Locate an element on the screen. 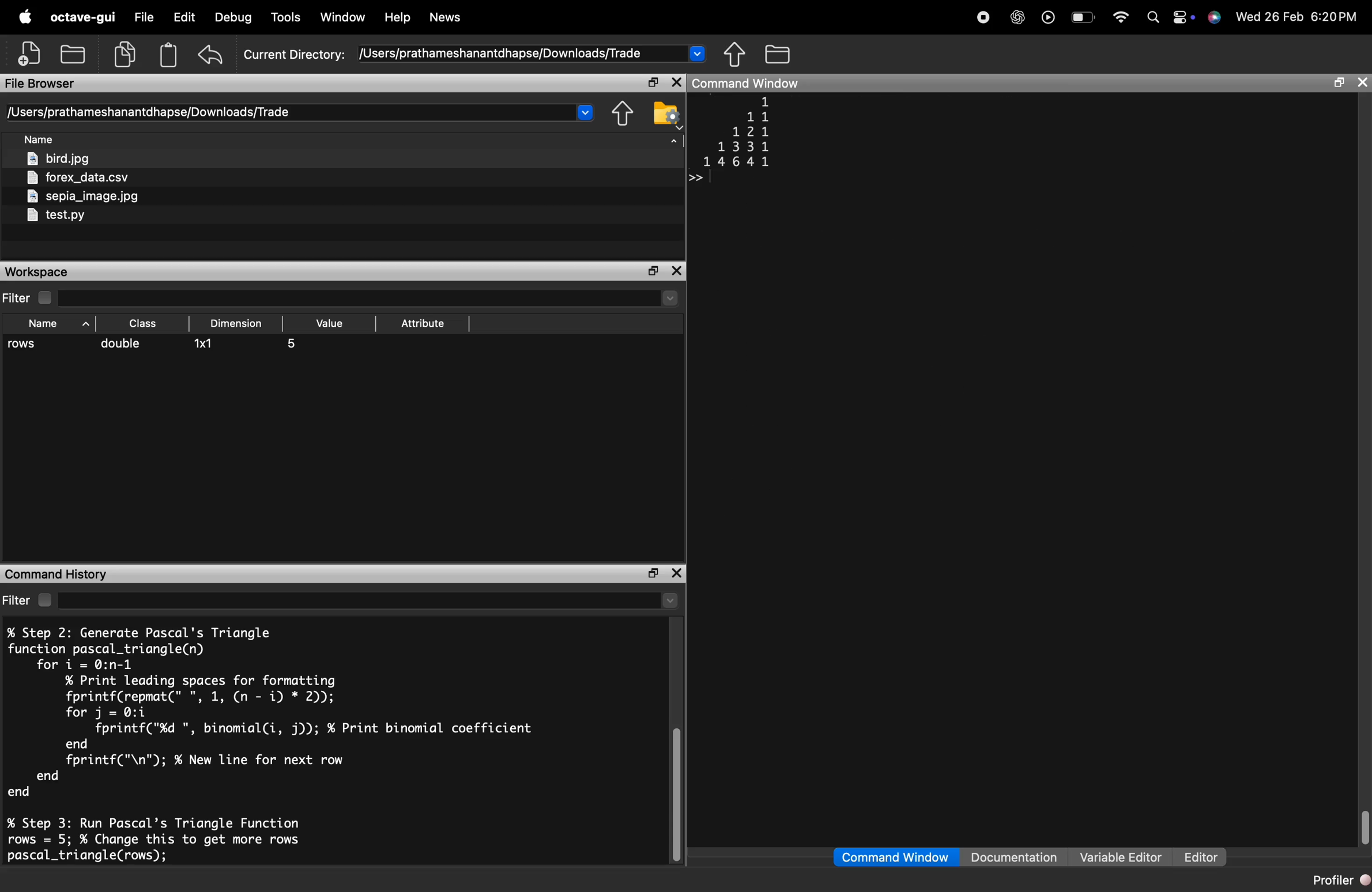 The height and width of the screenshot is (892, 1372). forex_data.csv is located at coordinates (80, 179).